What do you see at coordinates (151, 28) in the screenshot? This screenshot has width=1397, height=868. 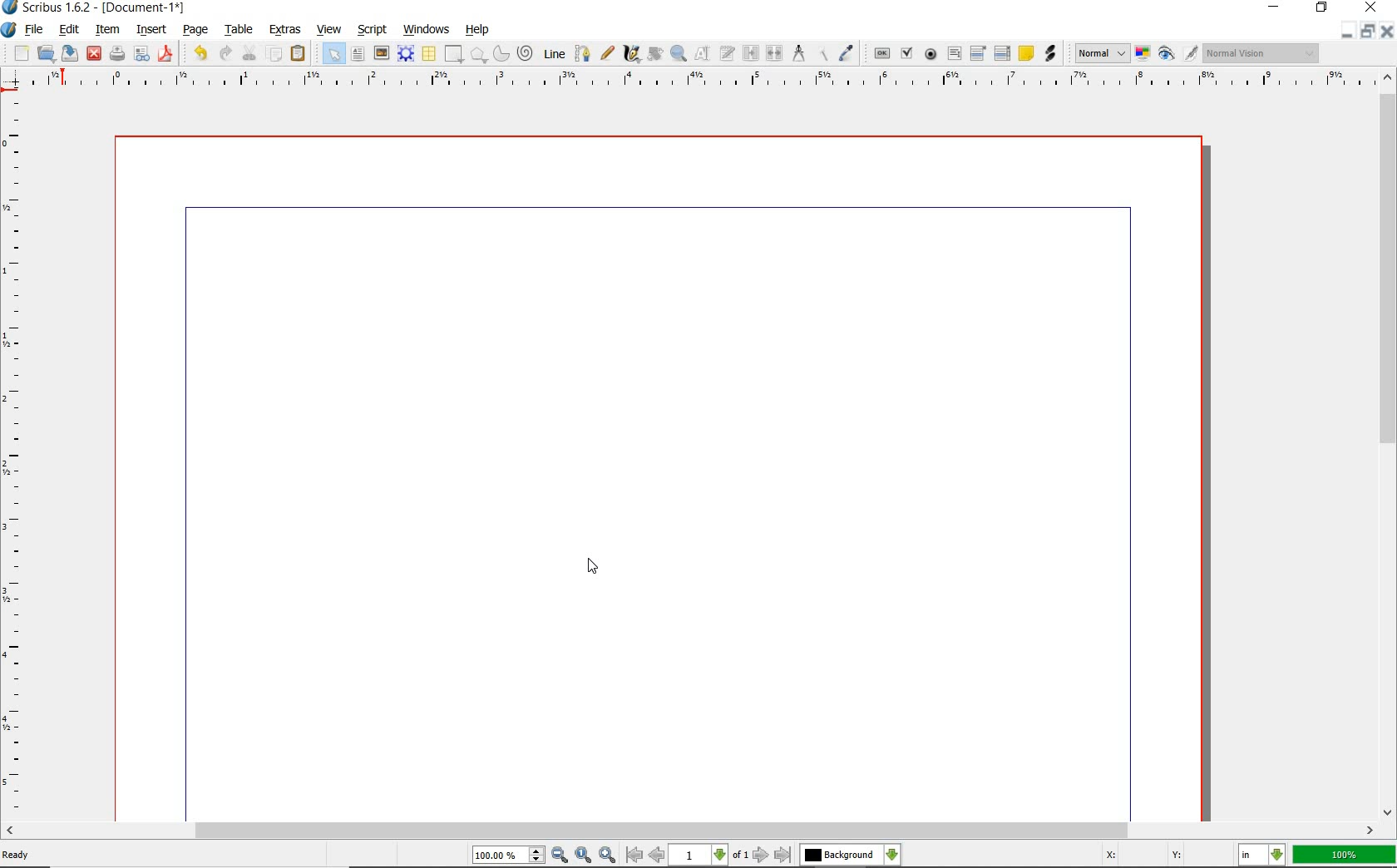 I see `insert` at bounding box center [151, 28].